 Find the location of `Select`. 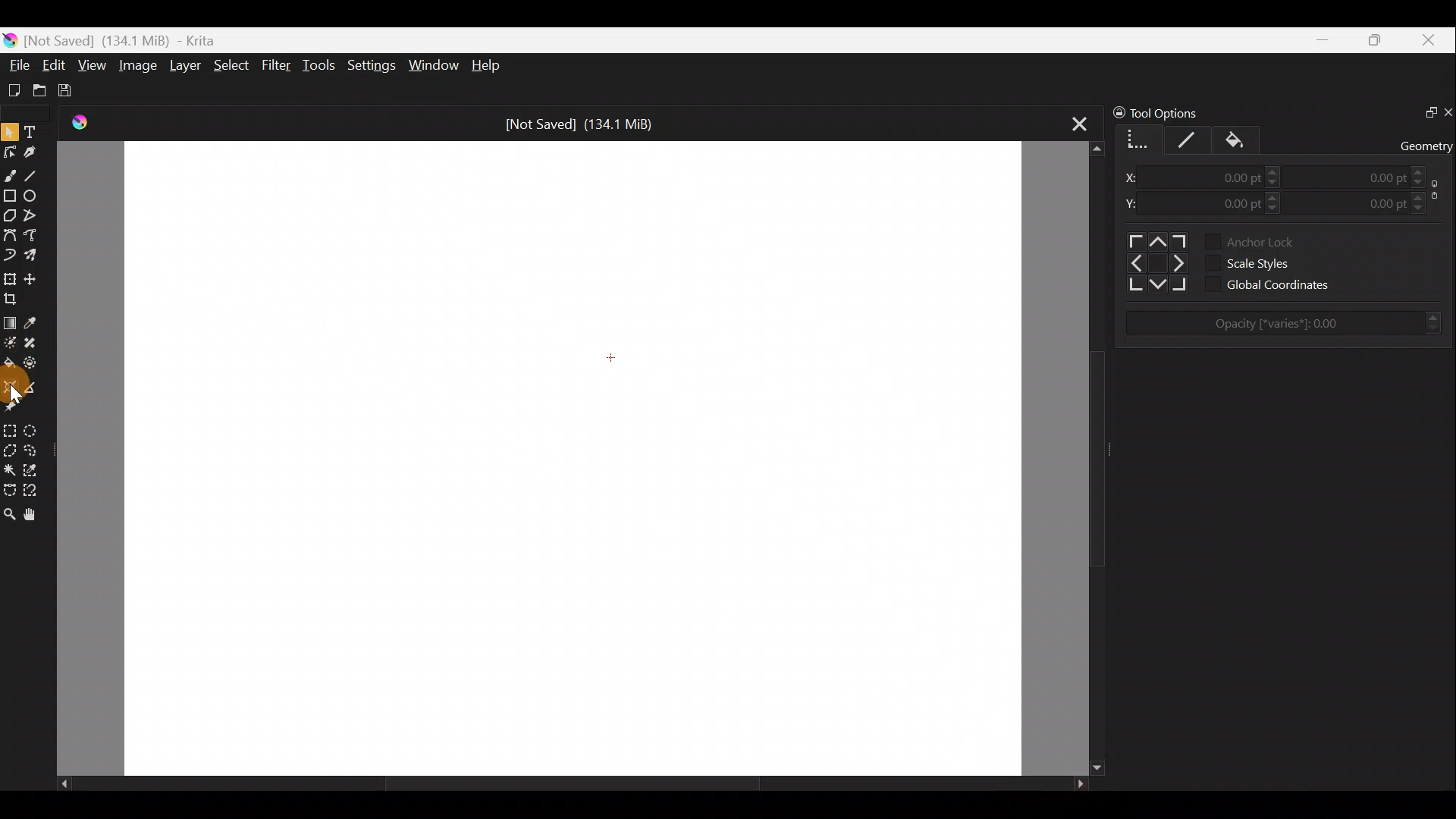

Select is located at coordinates (231, 69).